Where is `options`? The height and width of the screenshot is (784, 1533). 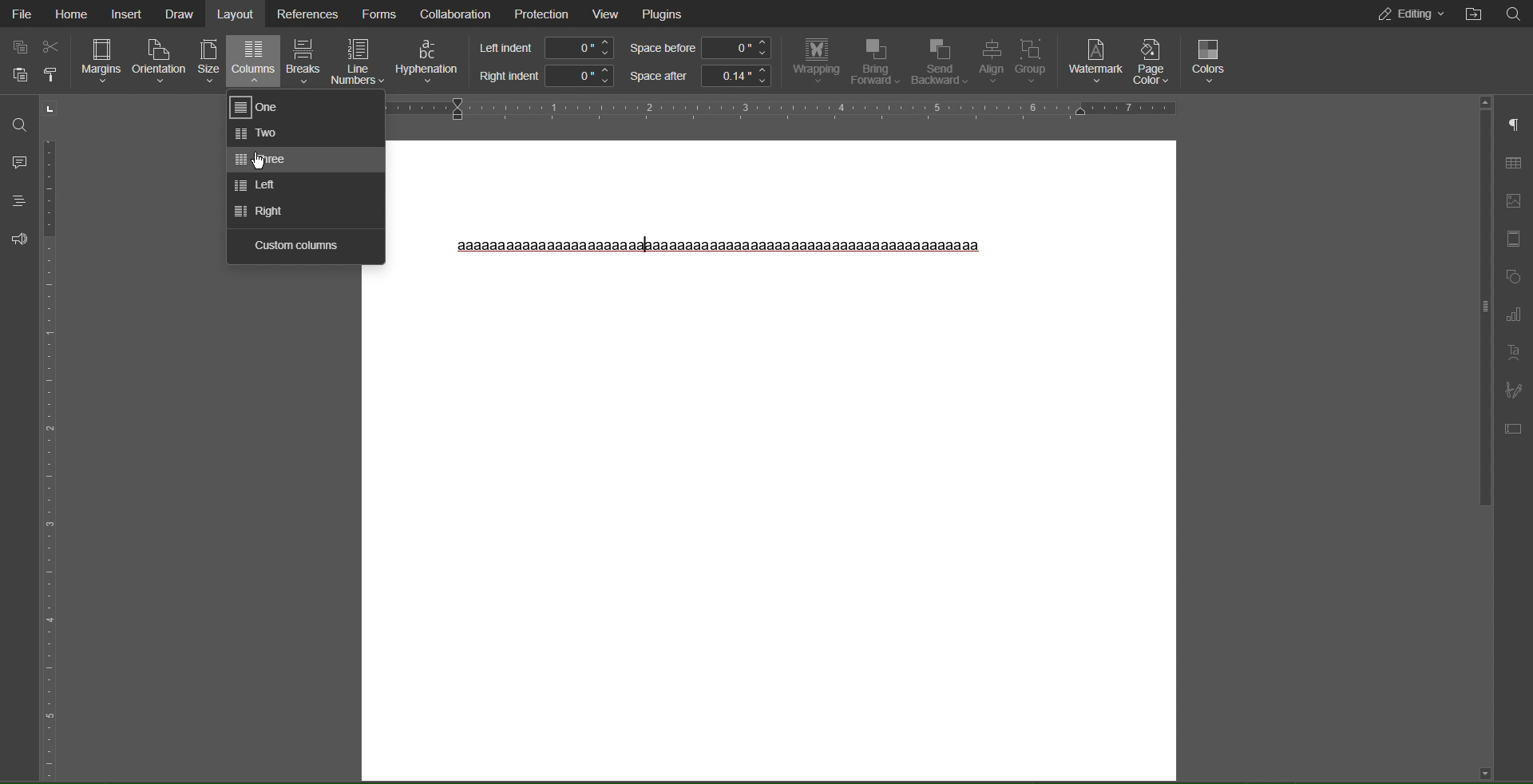 options is located at coordinates (57, 77).